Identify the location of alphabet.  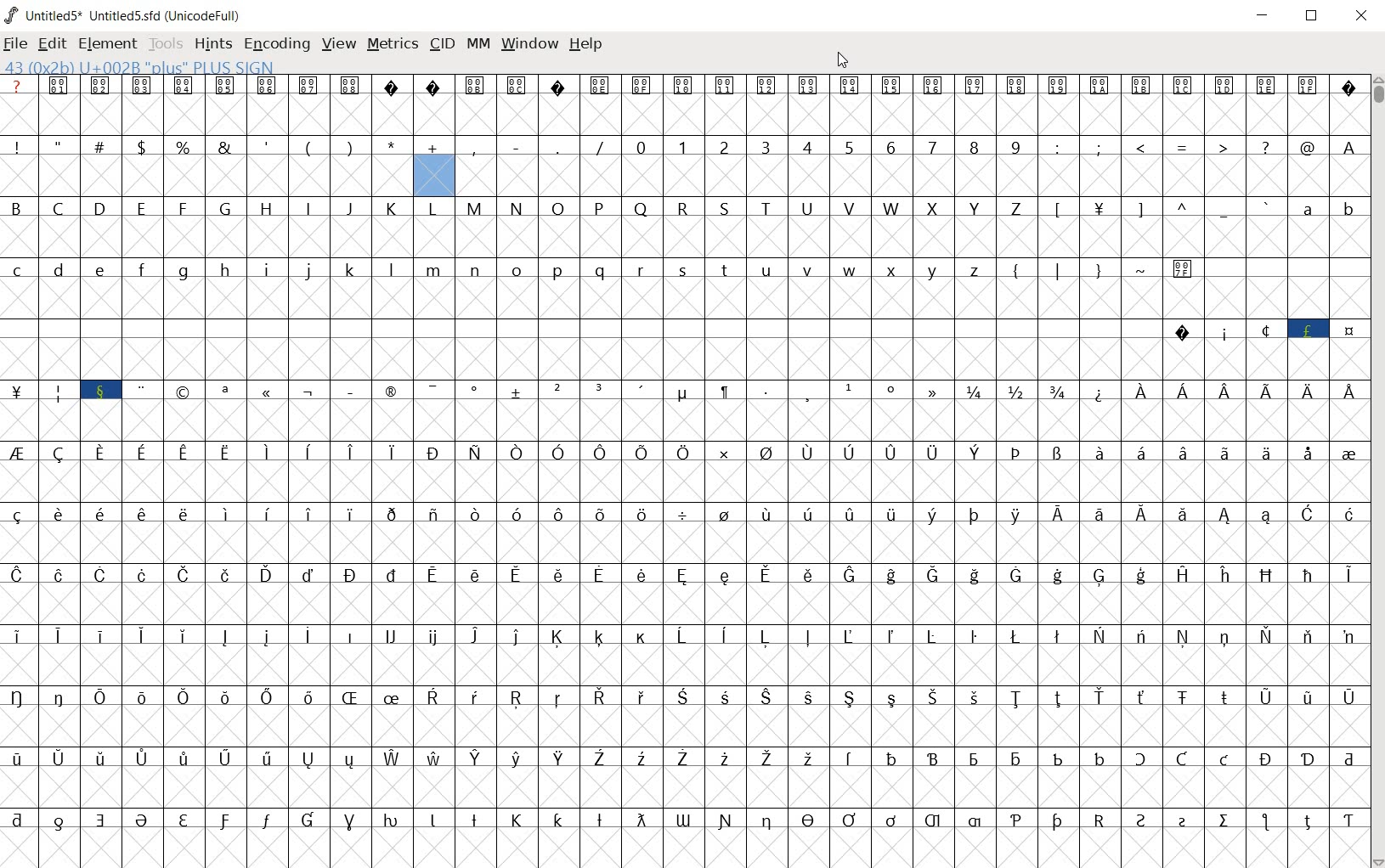
(1328, 227).